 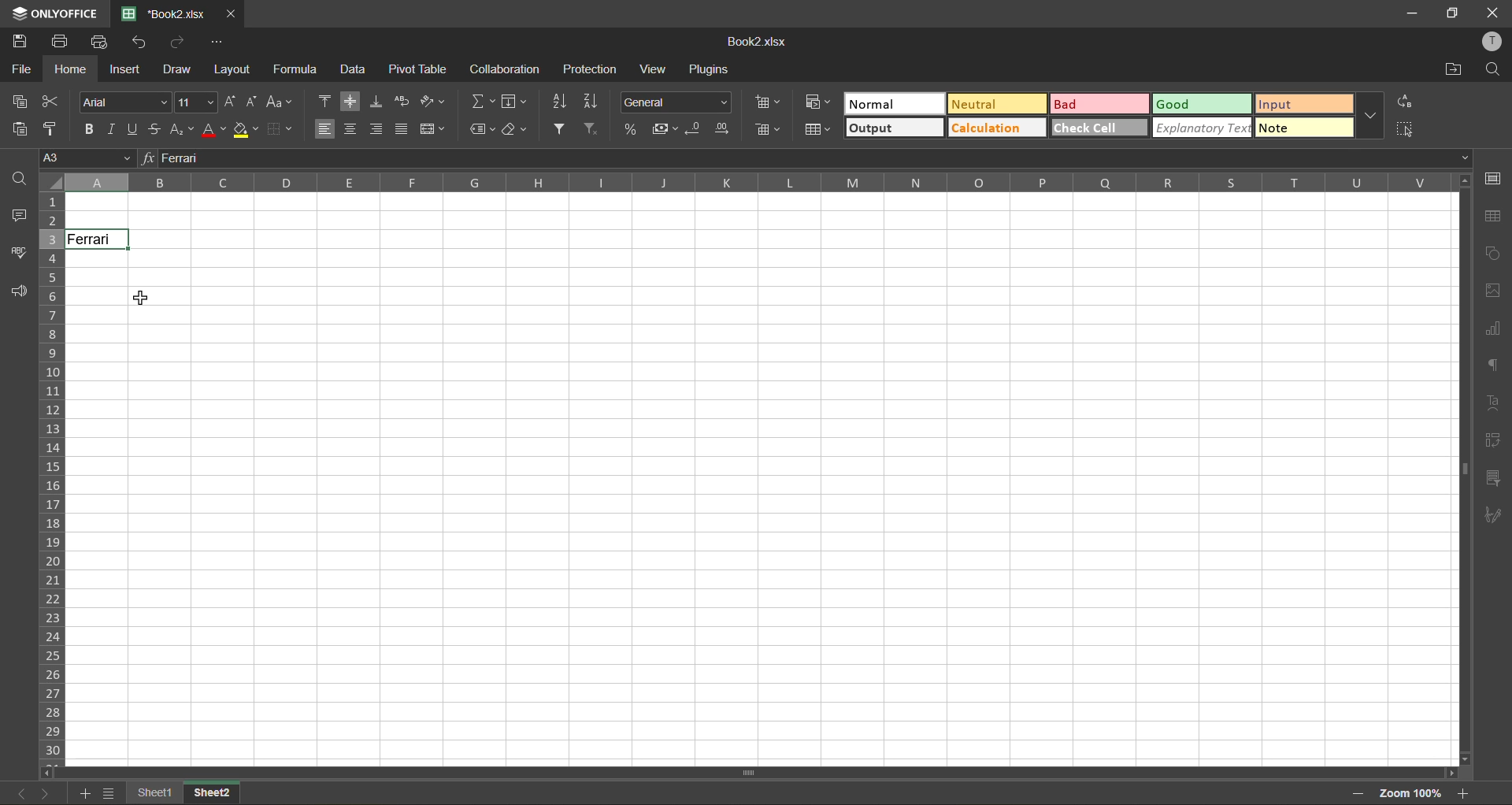 I want to click on column names, so click(x=758, y=183).